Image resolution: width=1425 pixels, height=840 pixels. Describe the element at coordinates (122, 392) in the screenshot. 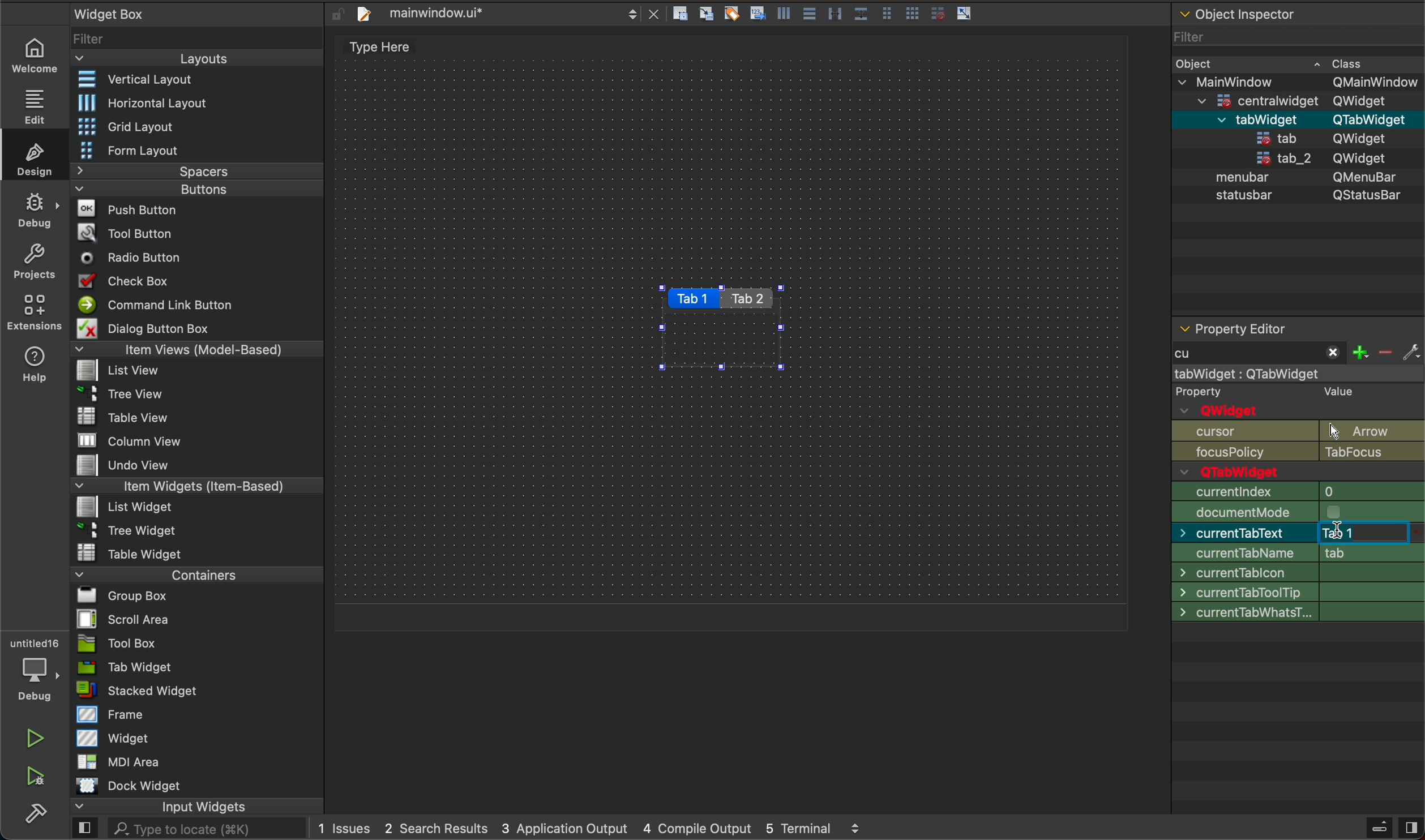

I see ` Tree View` at that location.